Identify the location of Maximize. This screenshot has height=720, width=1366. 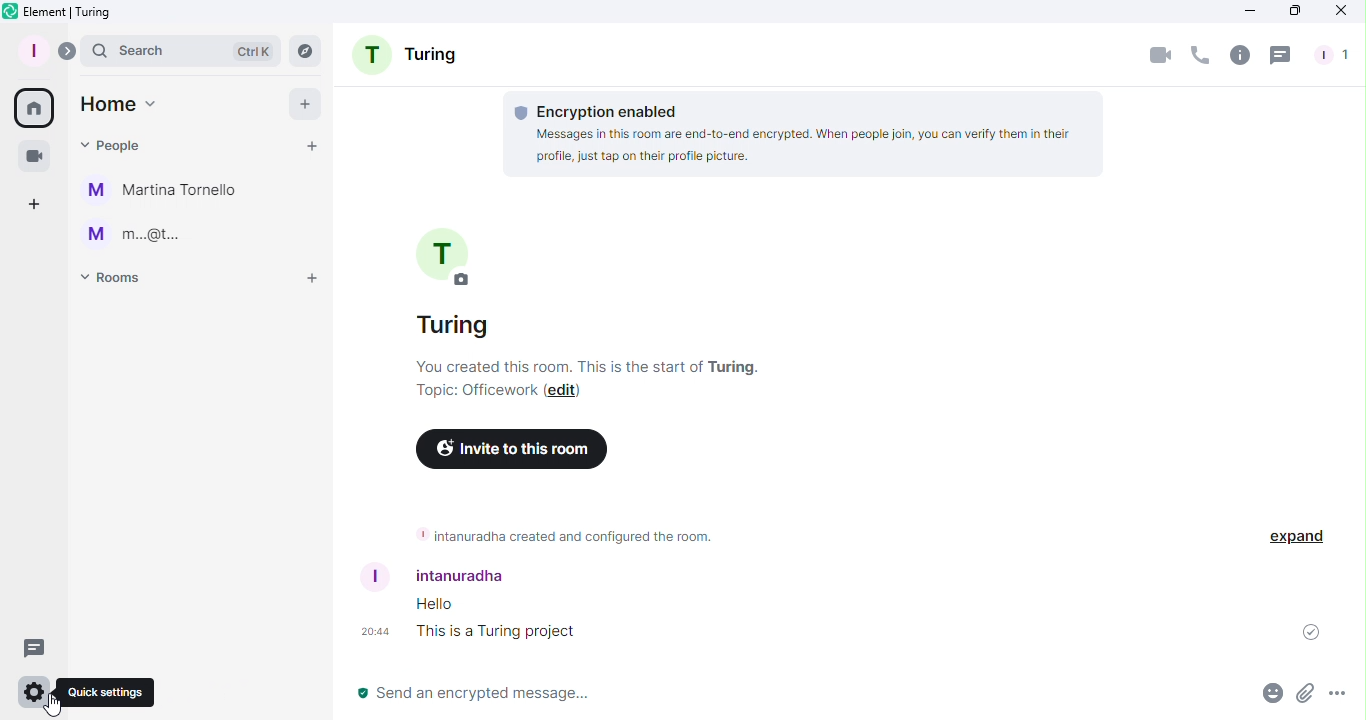
(1288, 12).